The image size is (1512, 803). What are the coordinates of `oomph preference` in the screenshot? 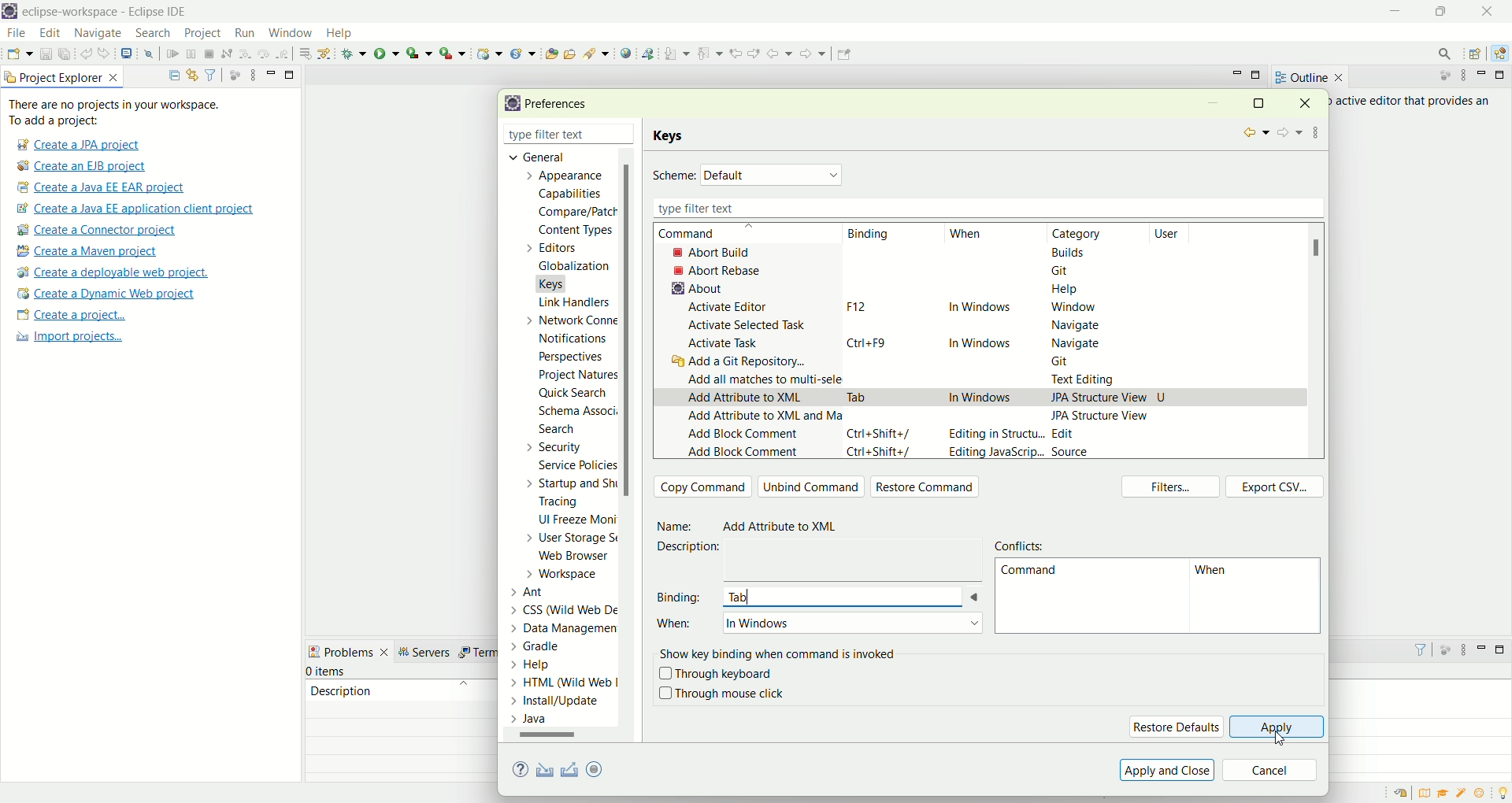 It's located at (597, 768).